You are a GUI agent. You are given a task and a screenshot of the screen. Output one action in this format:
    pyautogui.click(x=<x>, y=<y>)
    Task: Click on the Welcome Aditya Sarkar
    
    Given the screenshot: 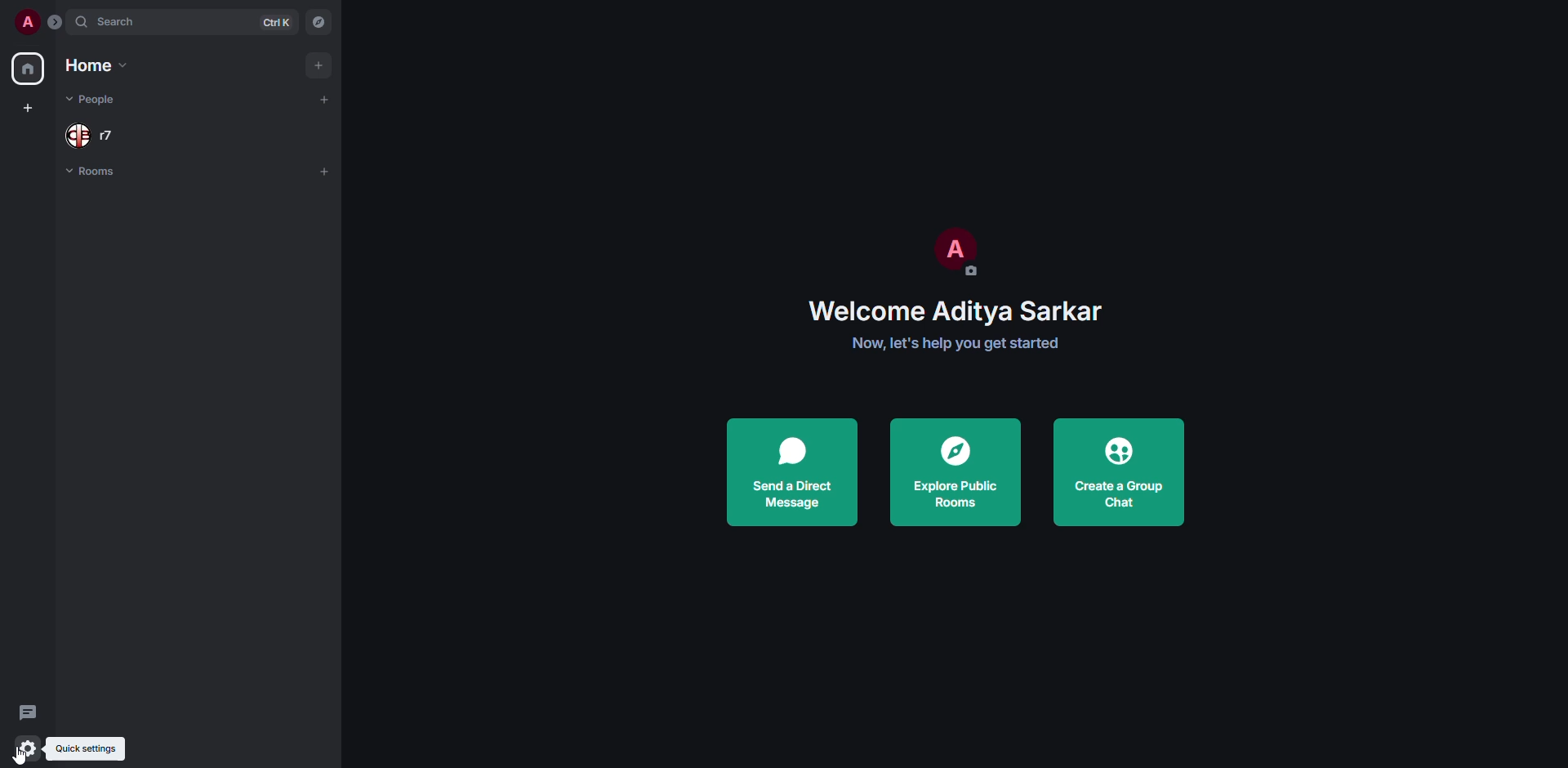 What is the action you would take?
    pyautogui.click(x=951, y=310)
    